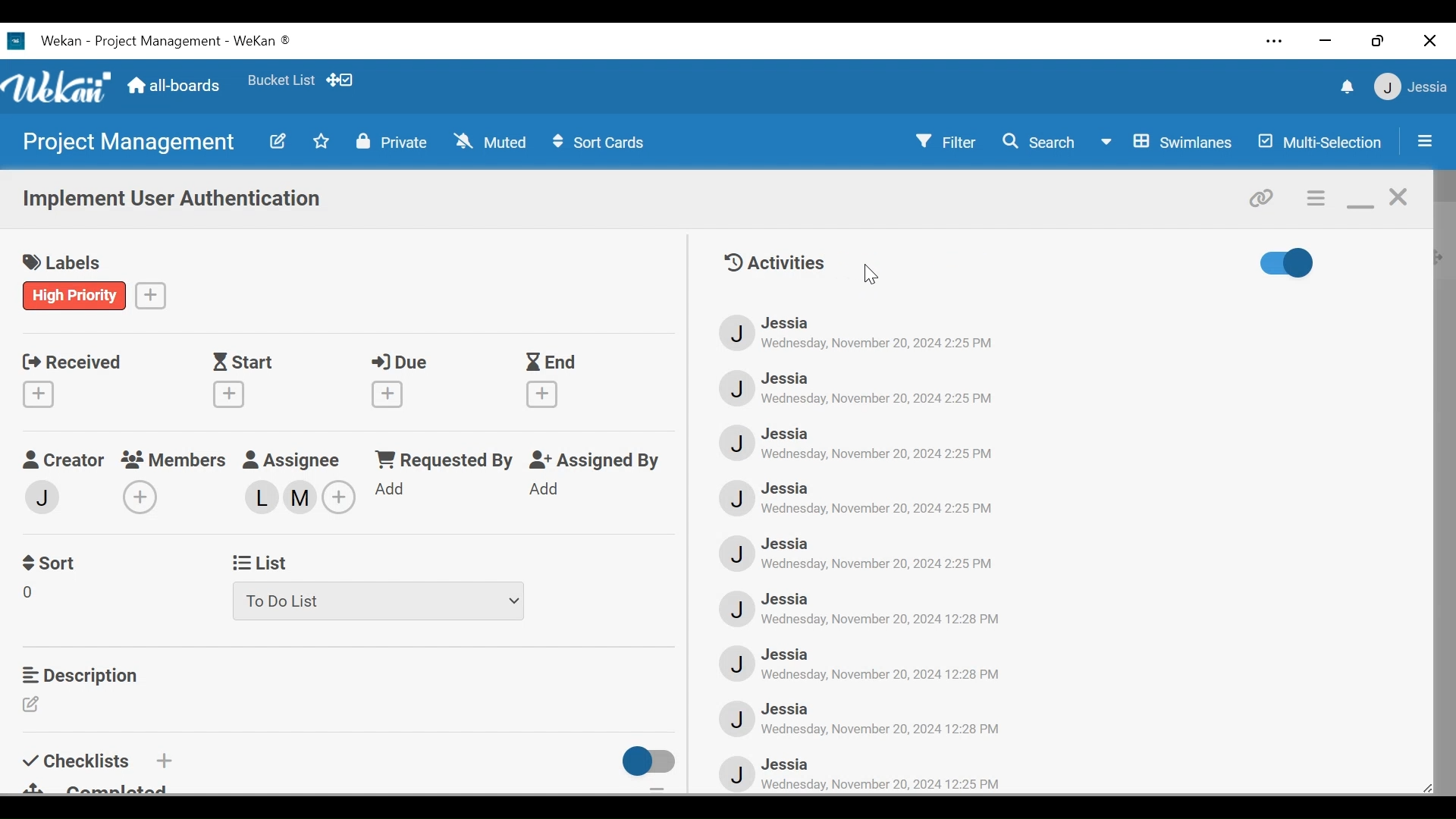  I want to click on Card Name, so click(172, 199).